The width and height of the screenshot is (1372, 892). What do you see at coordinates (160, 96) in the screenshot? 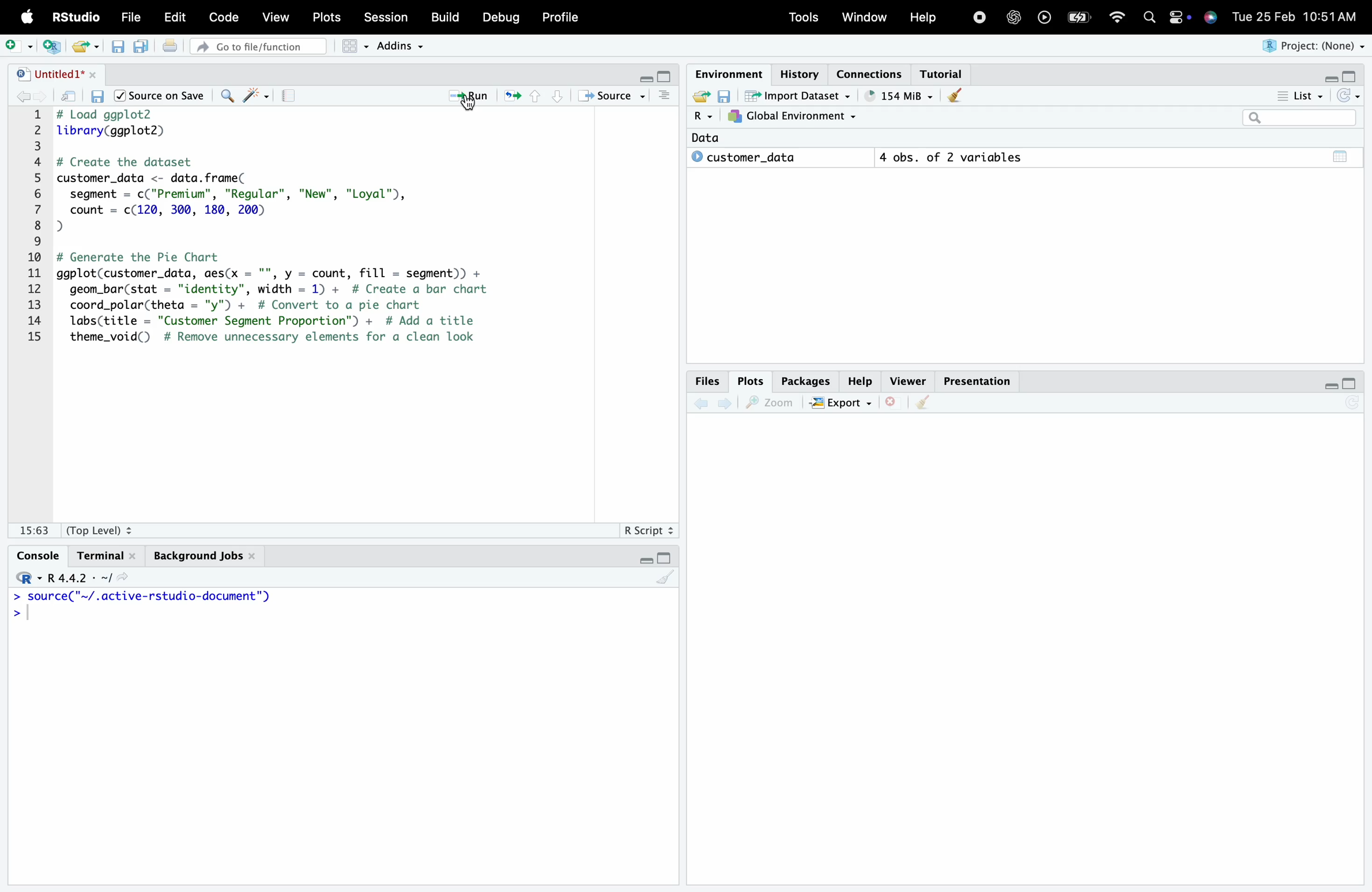
I see `/| Source on Save` at bounding box center [160, 96].